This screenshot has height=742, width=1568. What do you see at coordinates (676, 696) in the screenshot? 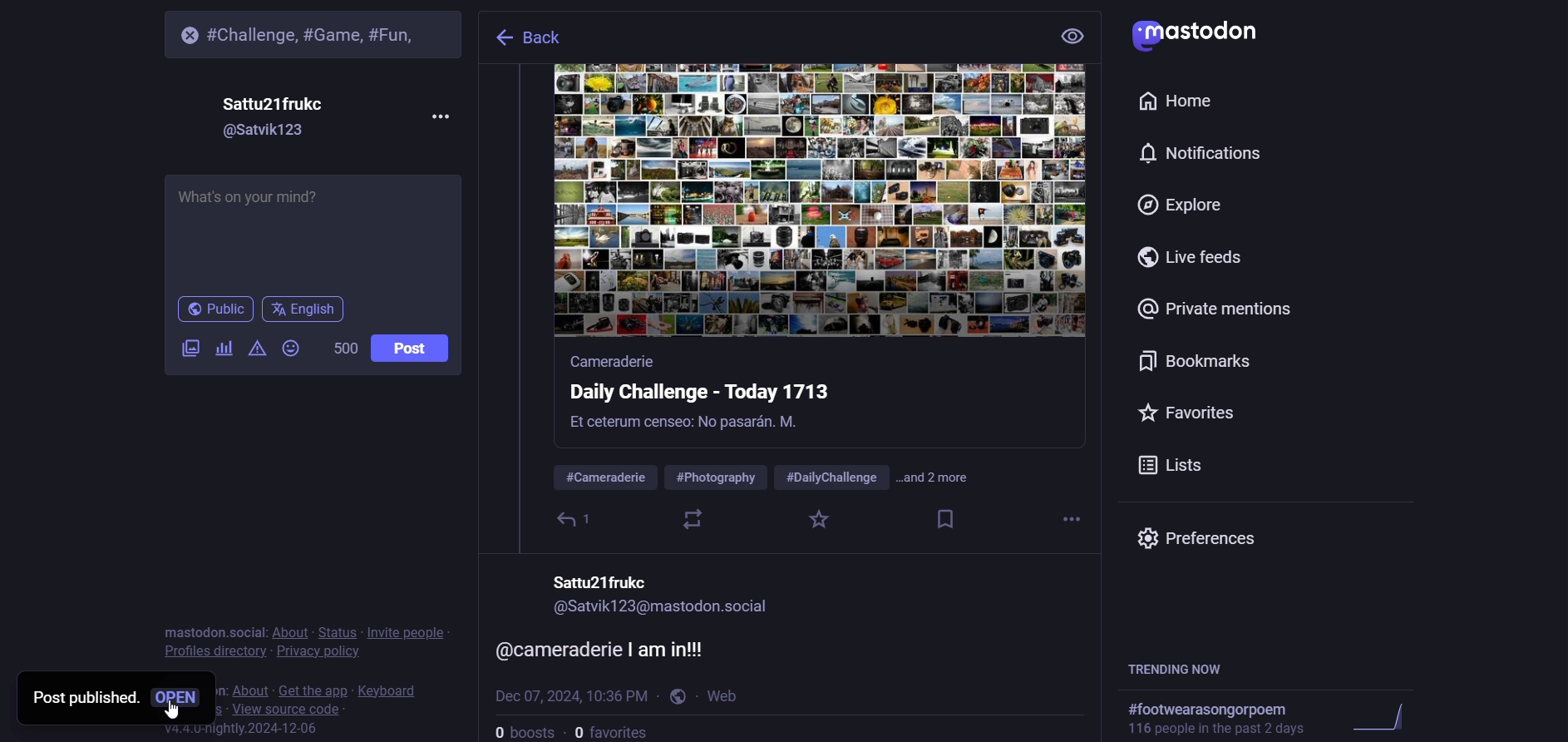
I see `public` at bounding box center [676, 696].